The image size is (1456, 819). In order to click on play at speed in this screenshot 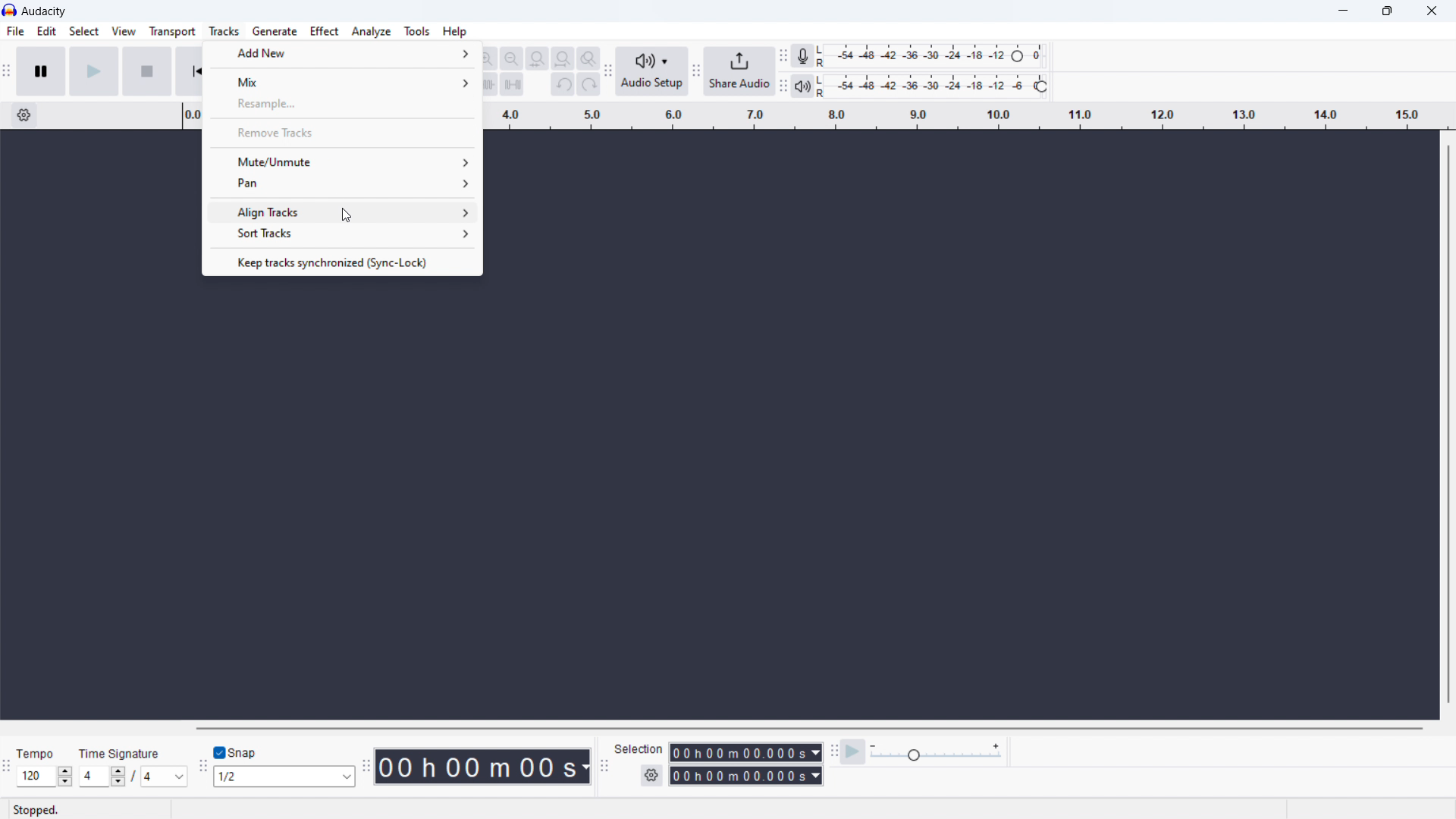, I will do `click(855, 752)`.